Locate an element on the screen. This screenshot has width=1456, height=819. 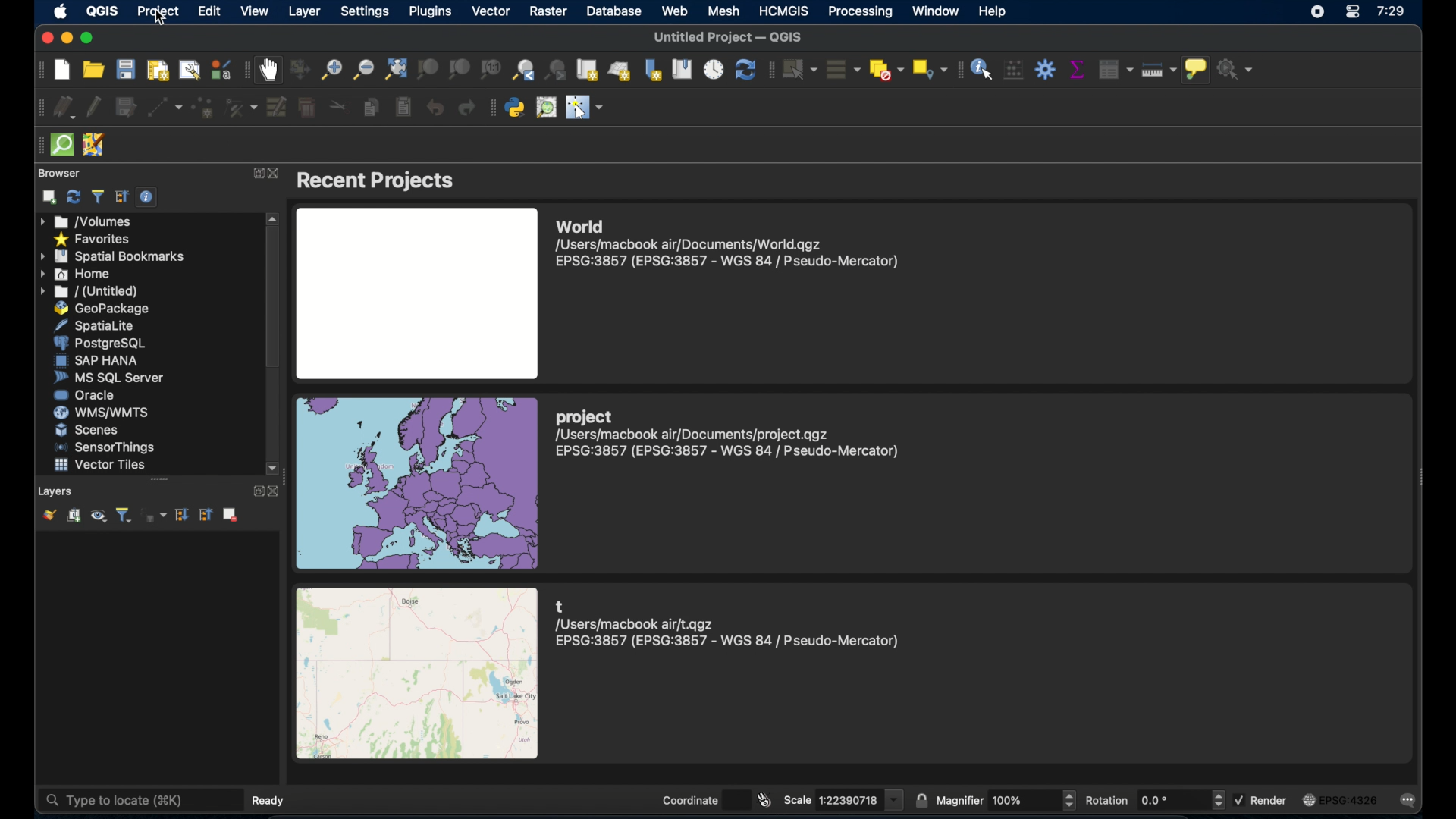
map navigation toolbar is located at coordinates (245, 71).